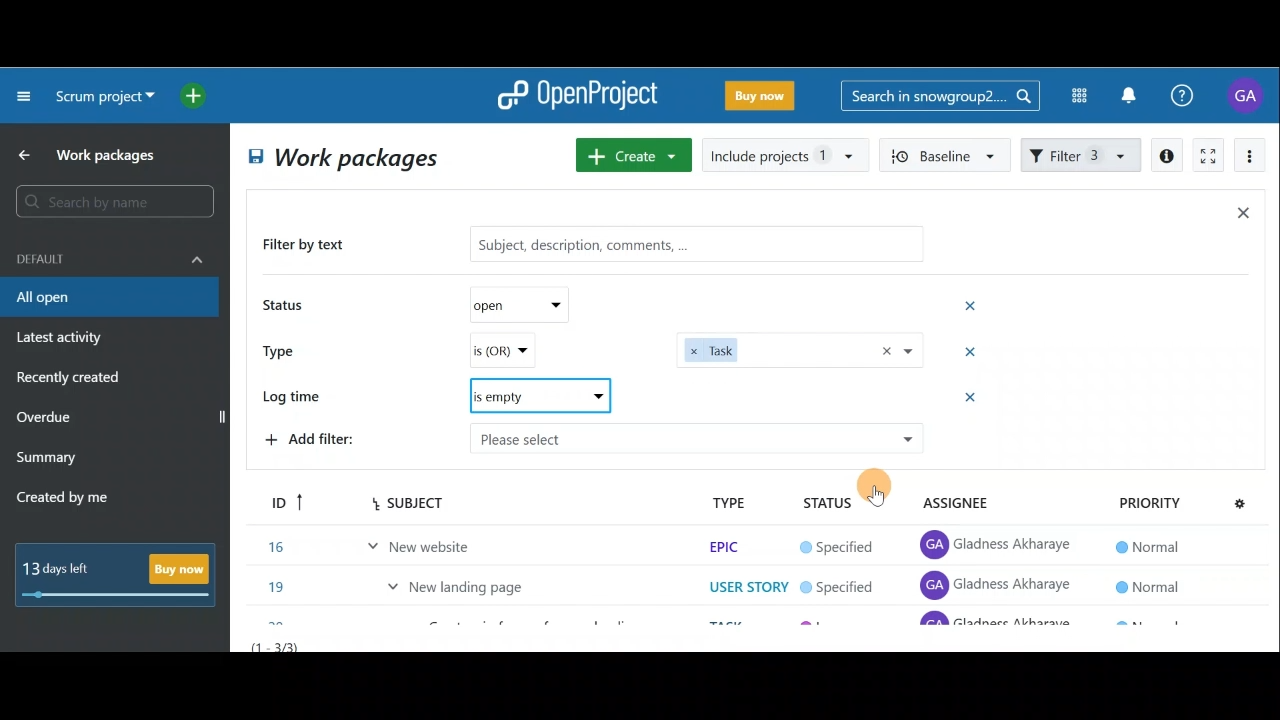  Describe the element at coordinates (383, 497) in the screenshot. I see `Item 14` at that location.